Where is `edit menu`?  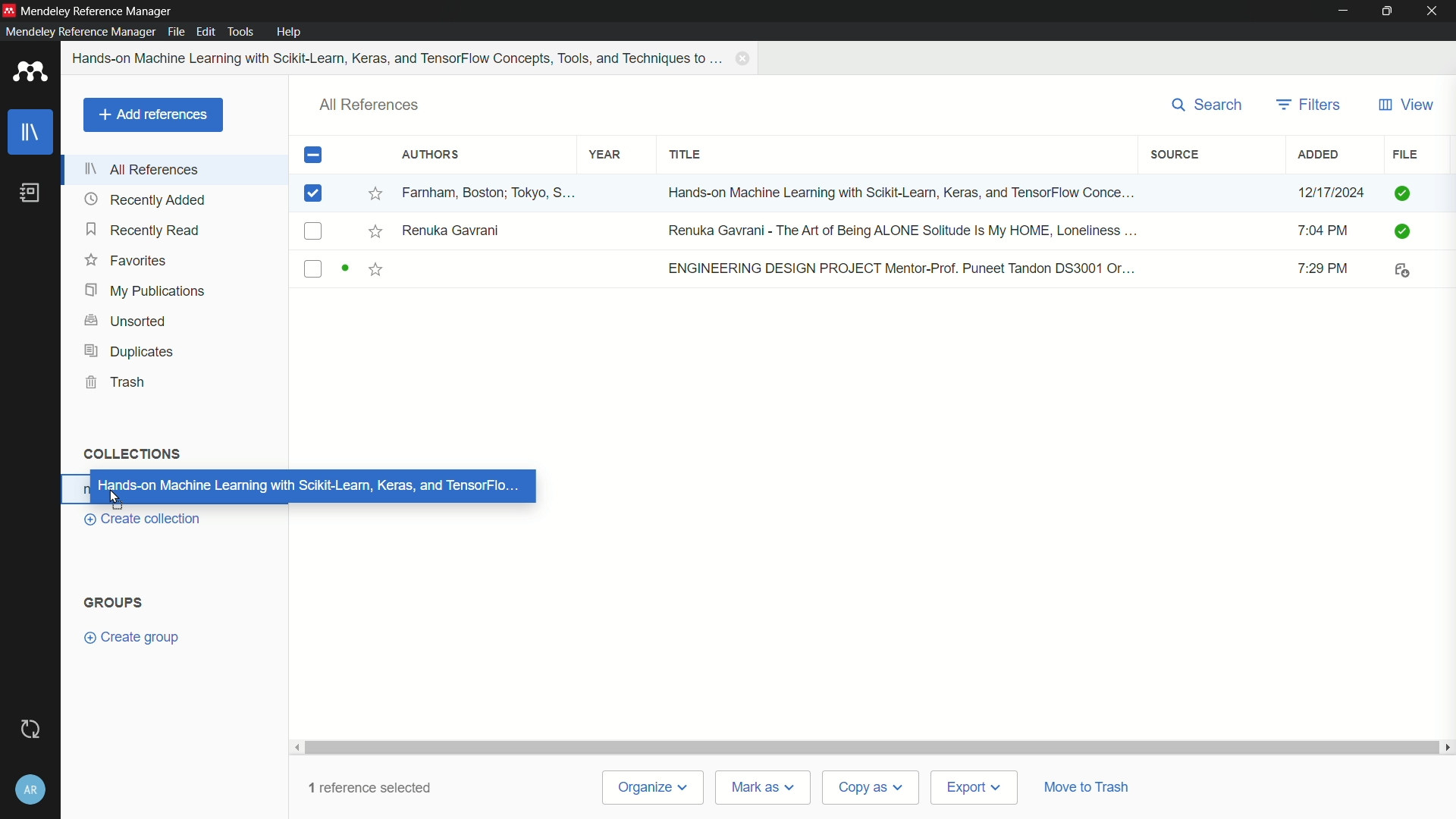
edit menu is located at coordinates (206, 32).